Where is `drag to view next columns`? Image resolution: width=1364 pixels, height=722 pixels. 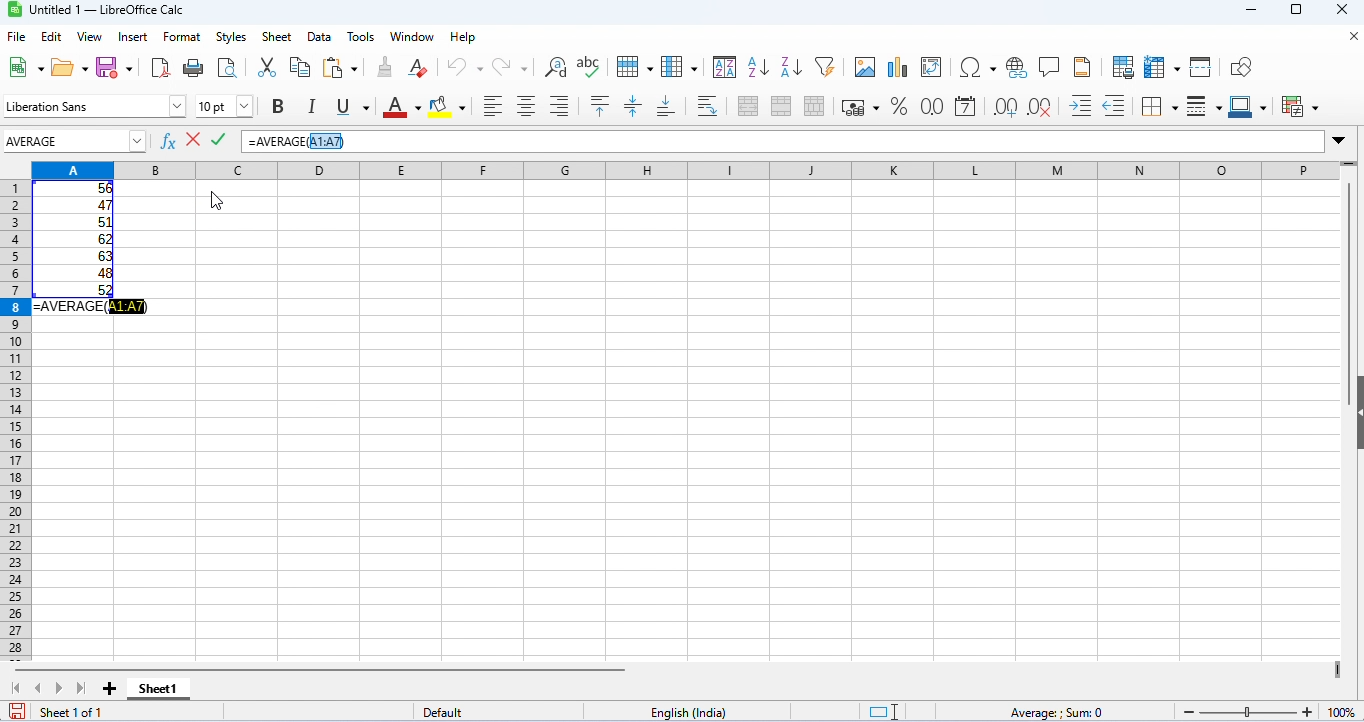 drag to view next columns is located at coordinates (1341, 671).